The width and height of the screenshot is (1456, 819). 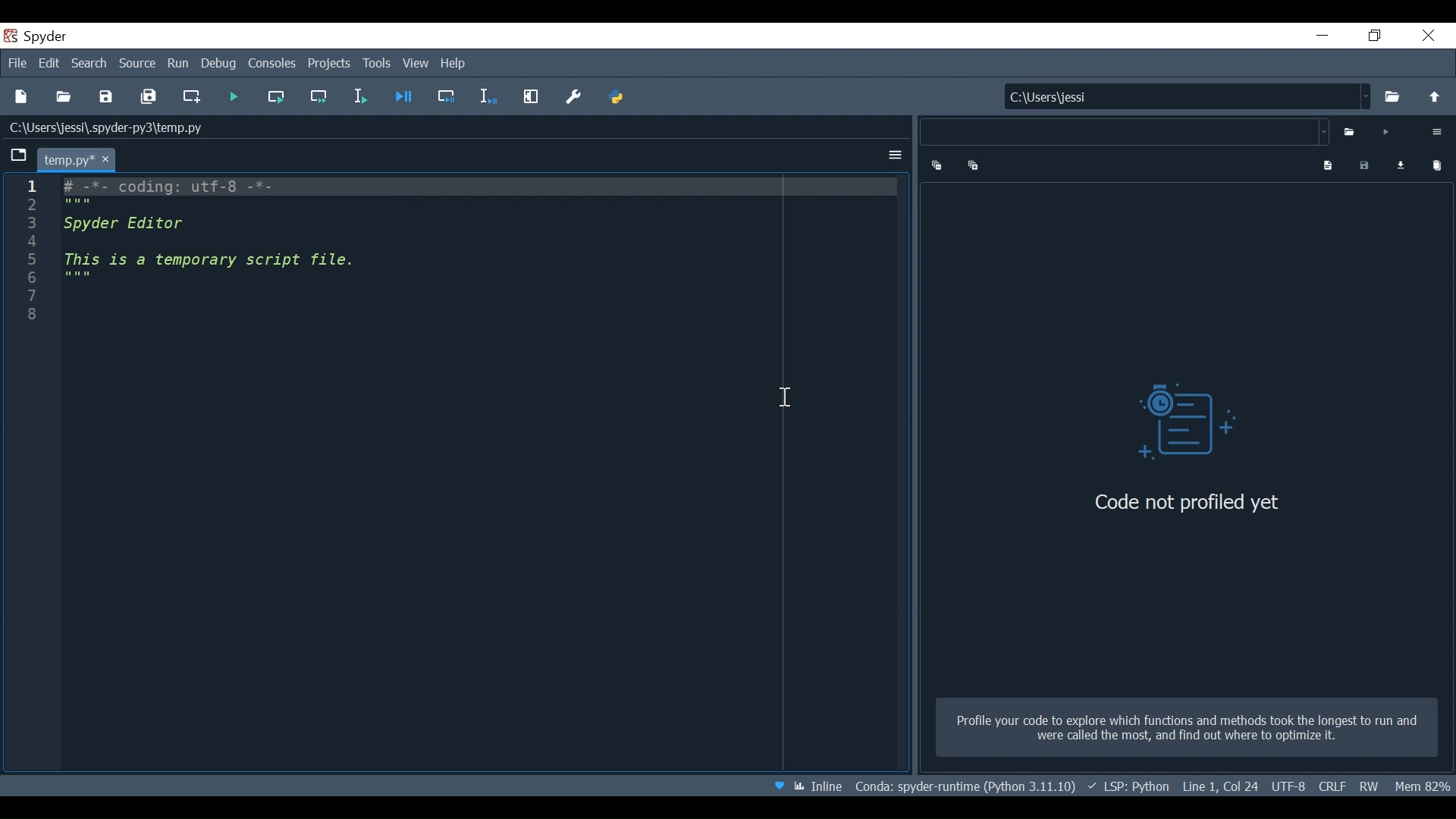 I want to click on Run, so click(x=177, y=63).